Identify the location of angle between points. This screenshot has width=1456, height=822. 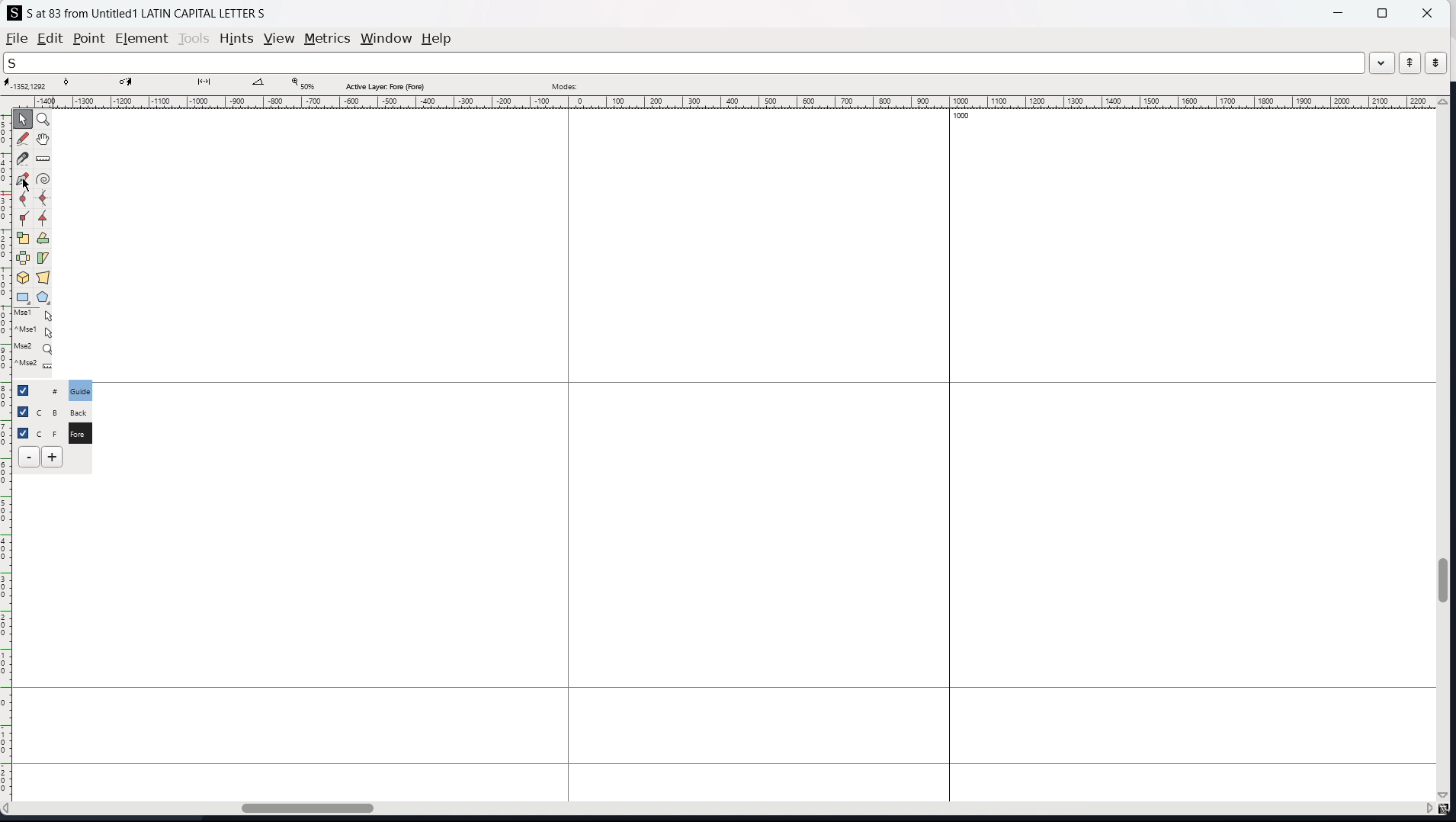
(260, 84).